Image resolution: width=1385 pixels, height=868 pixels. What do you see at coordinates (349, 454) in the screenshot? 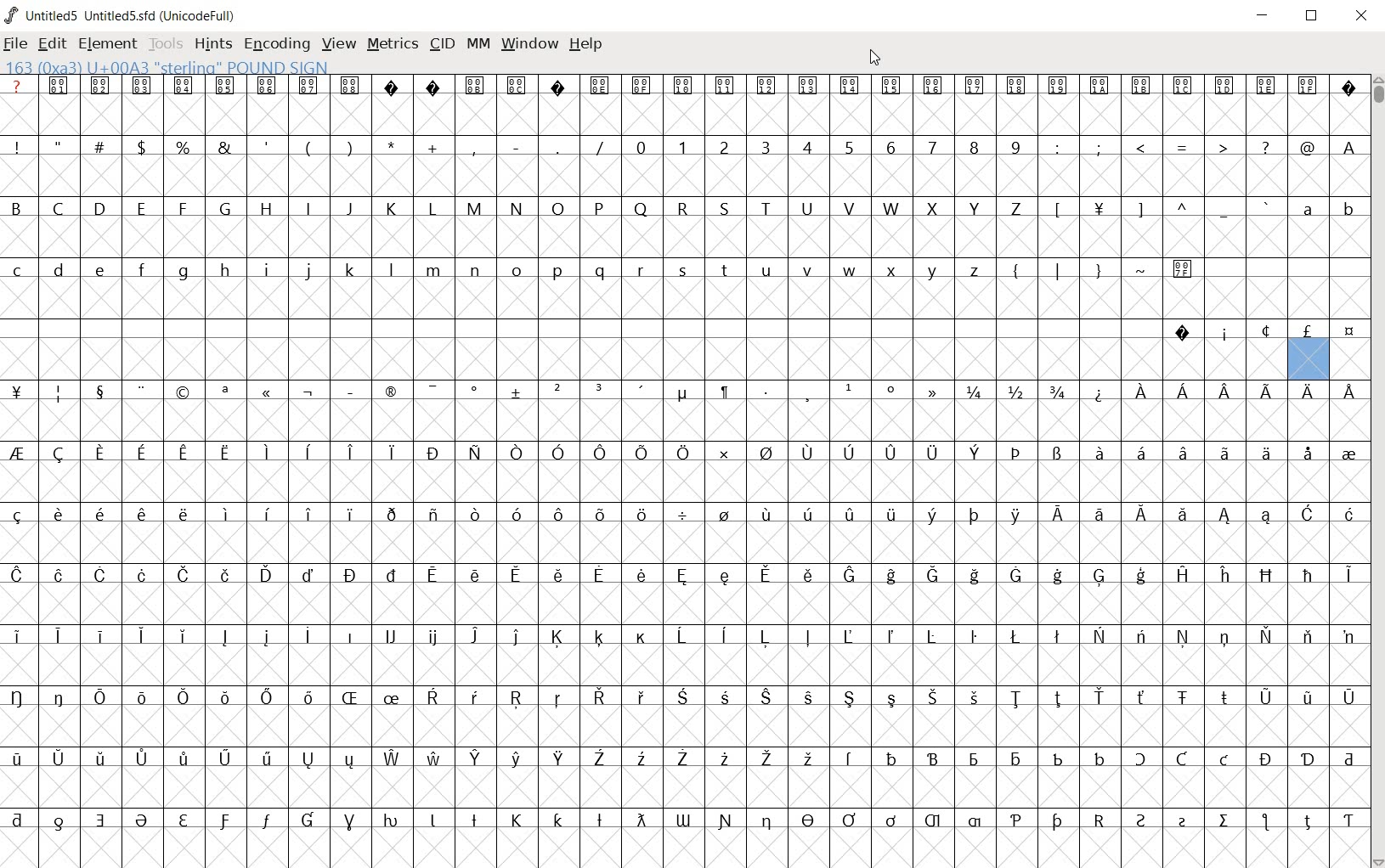
I see `Symbol` at bounding box center [349, 454].